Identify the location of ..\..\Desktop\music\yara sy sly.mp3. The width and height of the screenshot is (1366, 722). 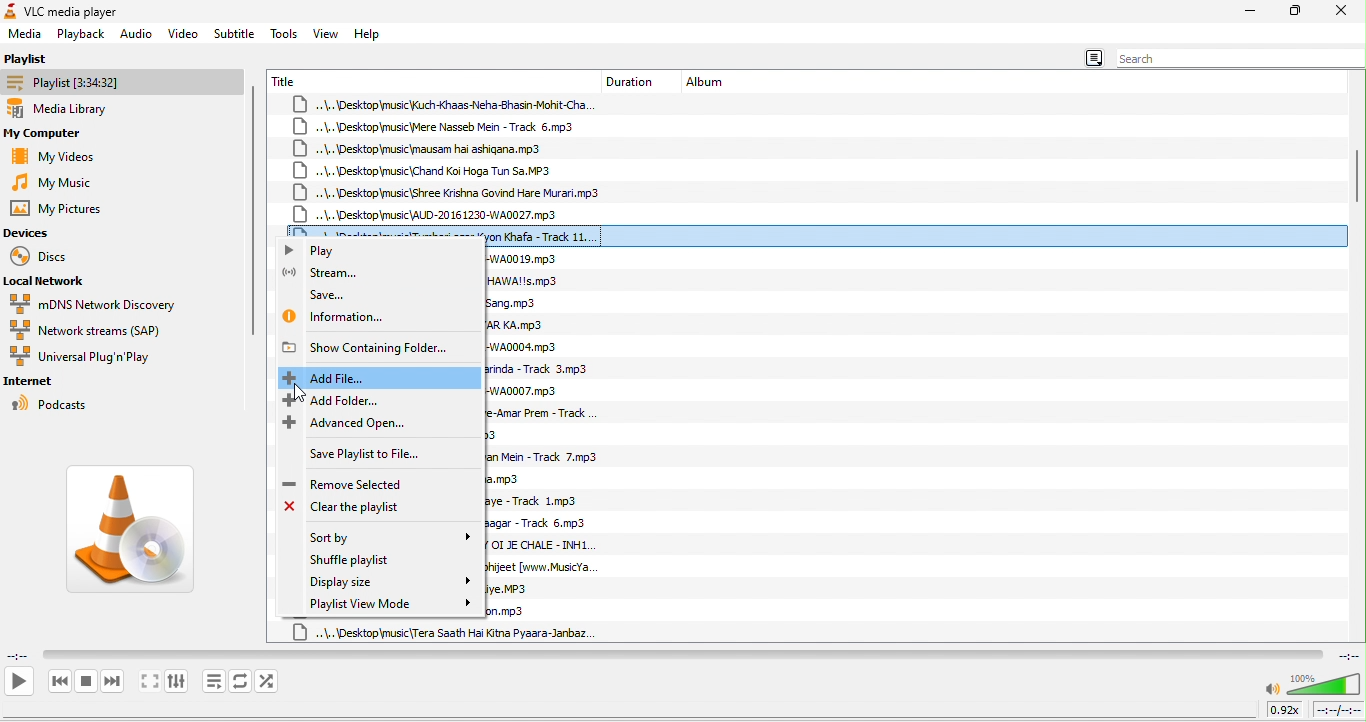
(492, 436).